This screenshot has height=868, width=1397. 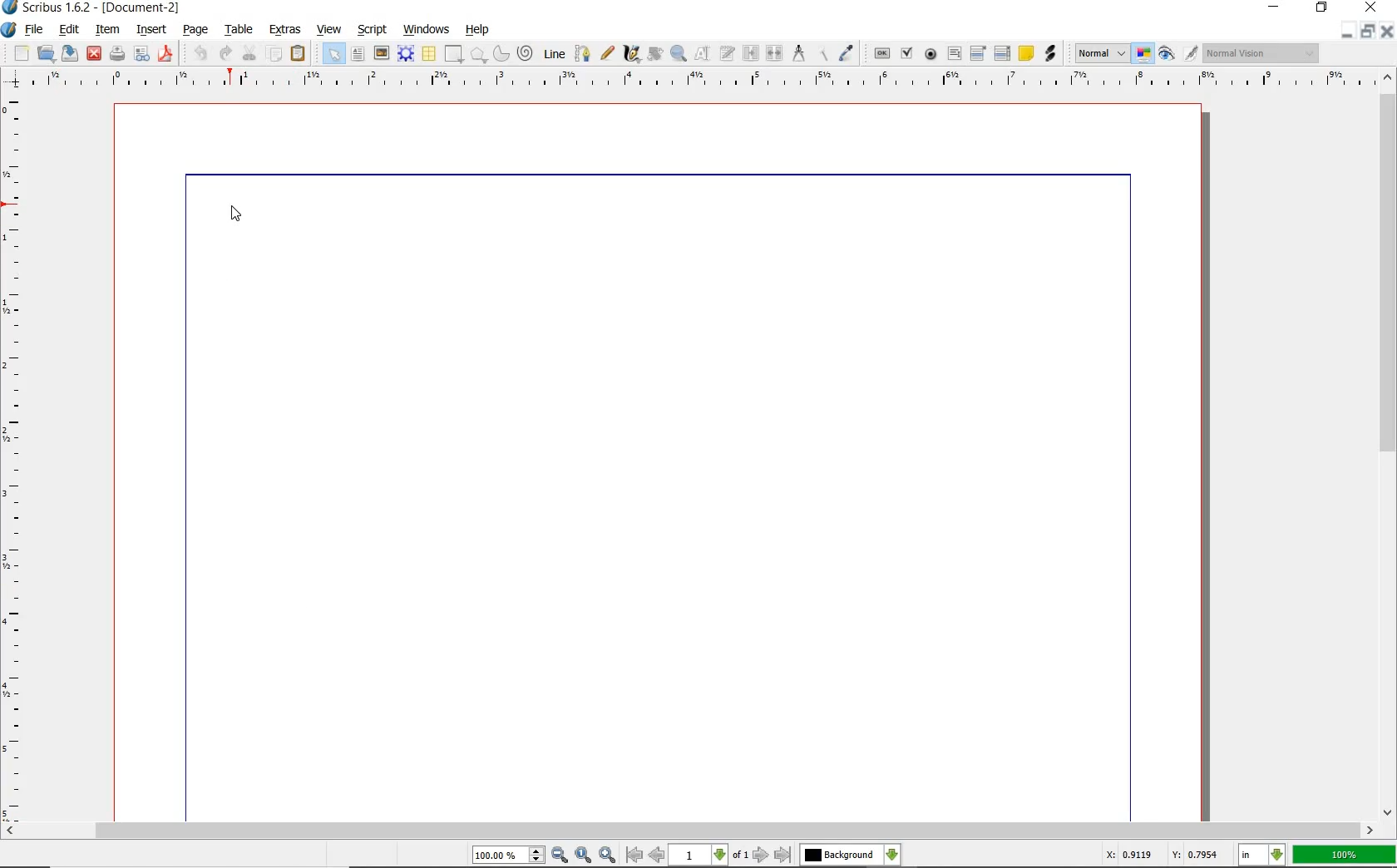 What do you see at coordinates (358, 53) in the screenshot?
I see `text frame` at bounding box center [358, 53].